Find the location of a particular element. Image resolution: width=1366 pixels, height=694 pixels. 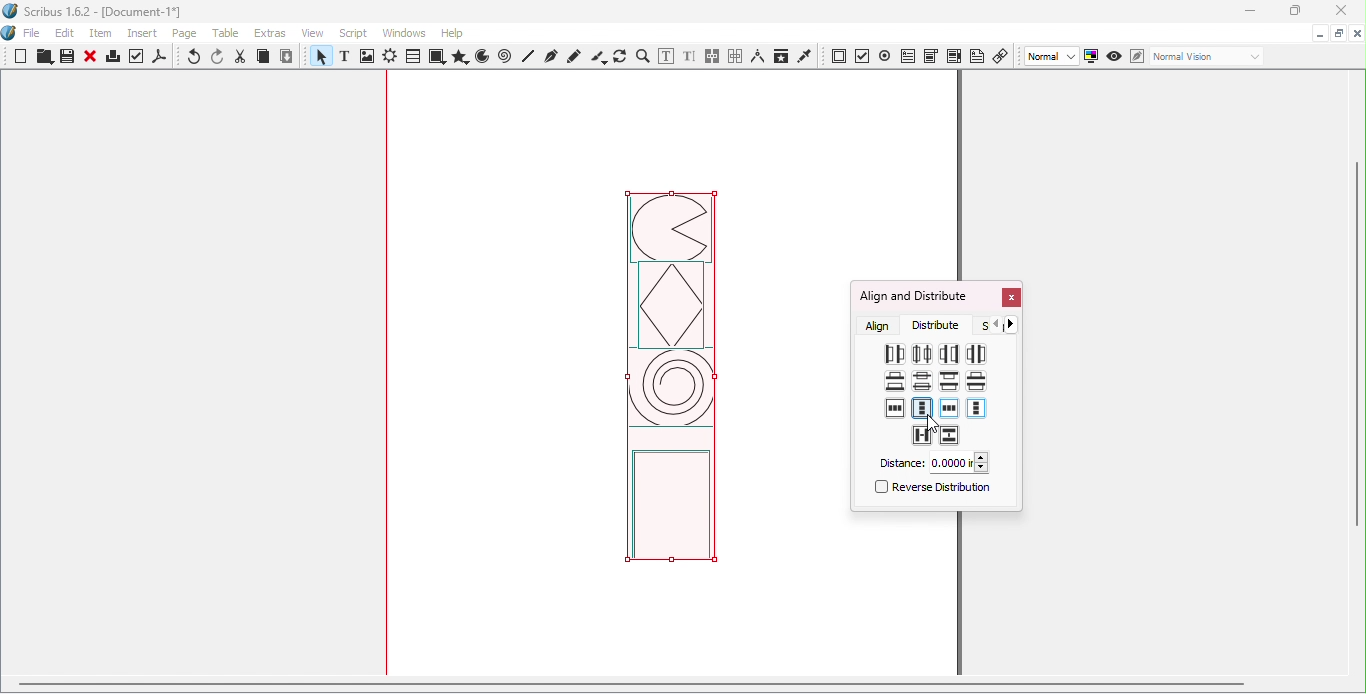

Select the visual appearance of the display is located at coordinates (1206, 57).